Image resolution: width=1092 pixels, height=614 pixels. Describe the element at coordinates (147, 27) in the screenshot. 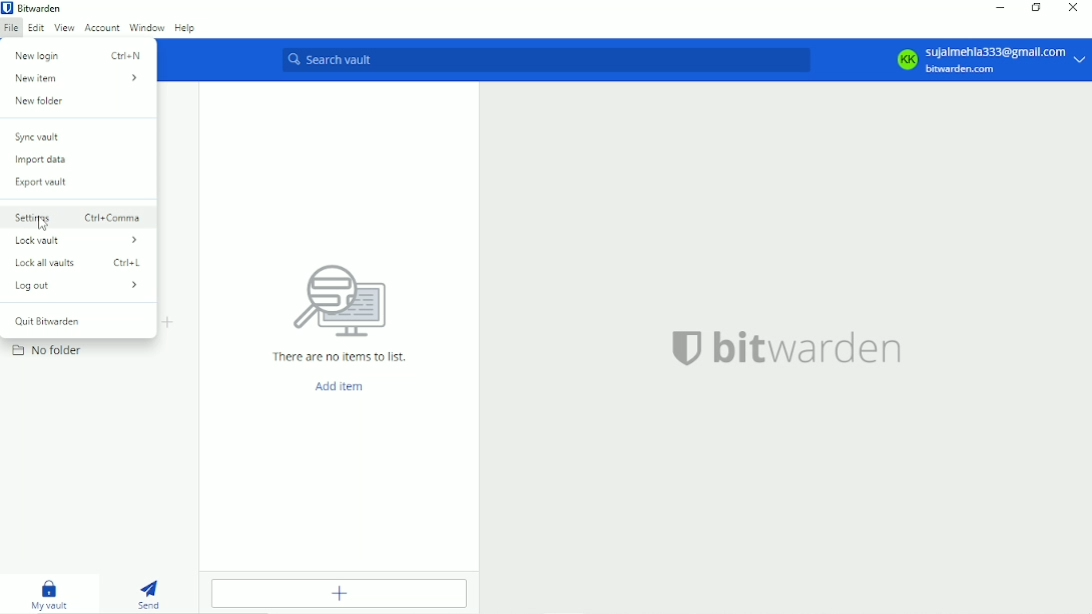

I see `Window` at that location.